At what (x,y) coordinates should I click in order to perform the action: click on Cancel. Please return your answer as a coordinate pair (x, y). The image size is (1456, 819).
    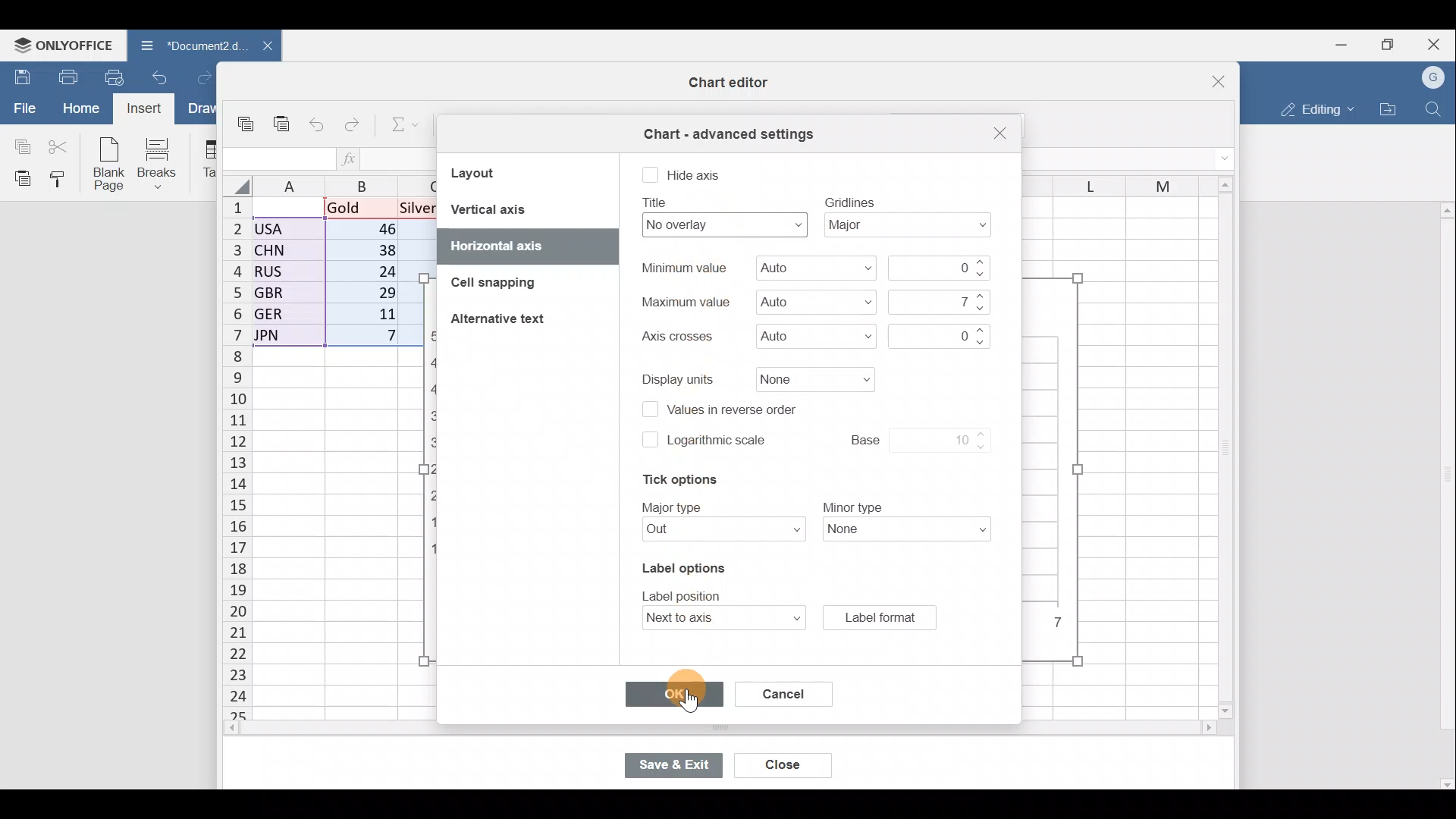
    Looking at the image, I should click on (777, 691).